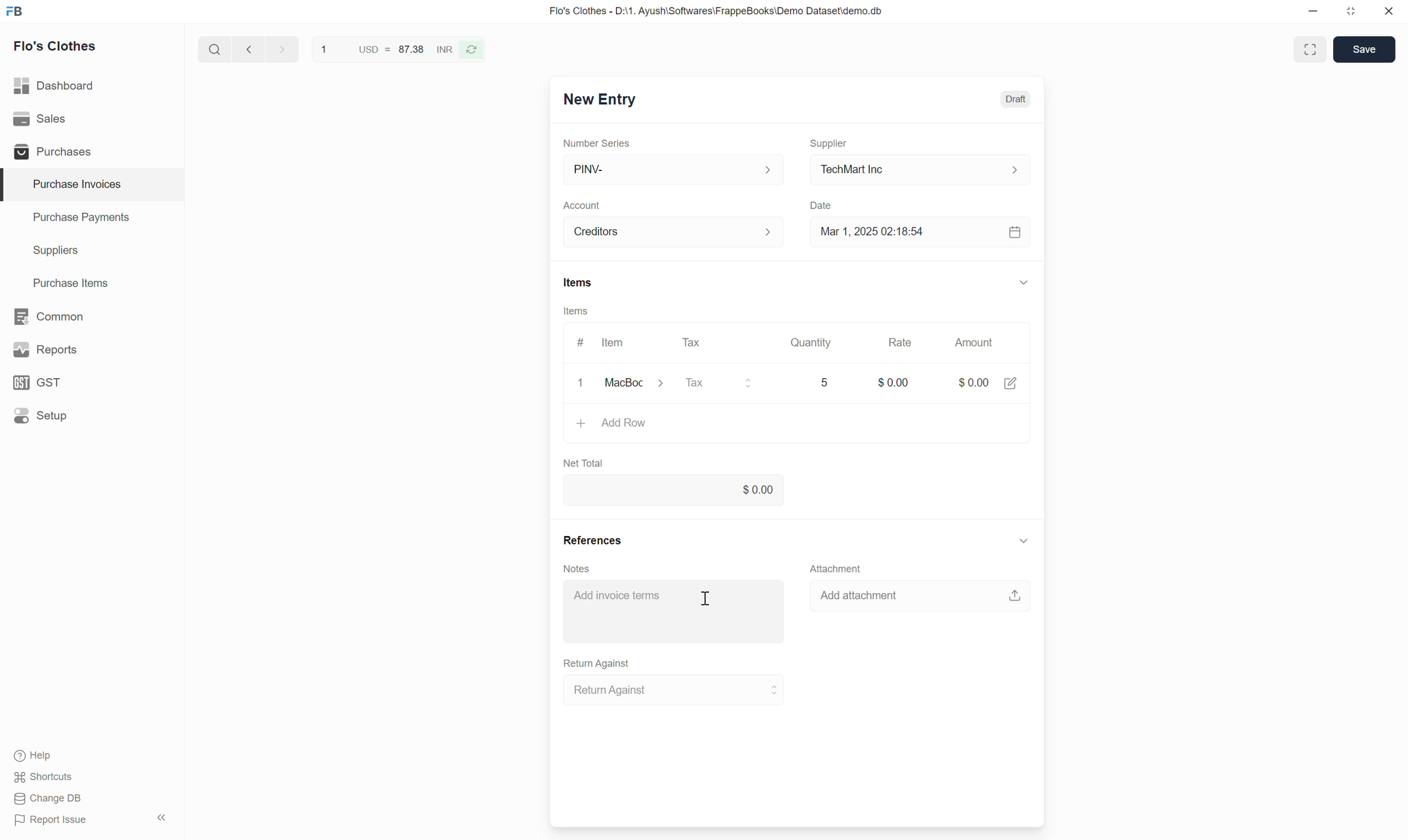 The width and height of the screenshot is (1408, 840). I want to click on Date, so click(822, 206).